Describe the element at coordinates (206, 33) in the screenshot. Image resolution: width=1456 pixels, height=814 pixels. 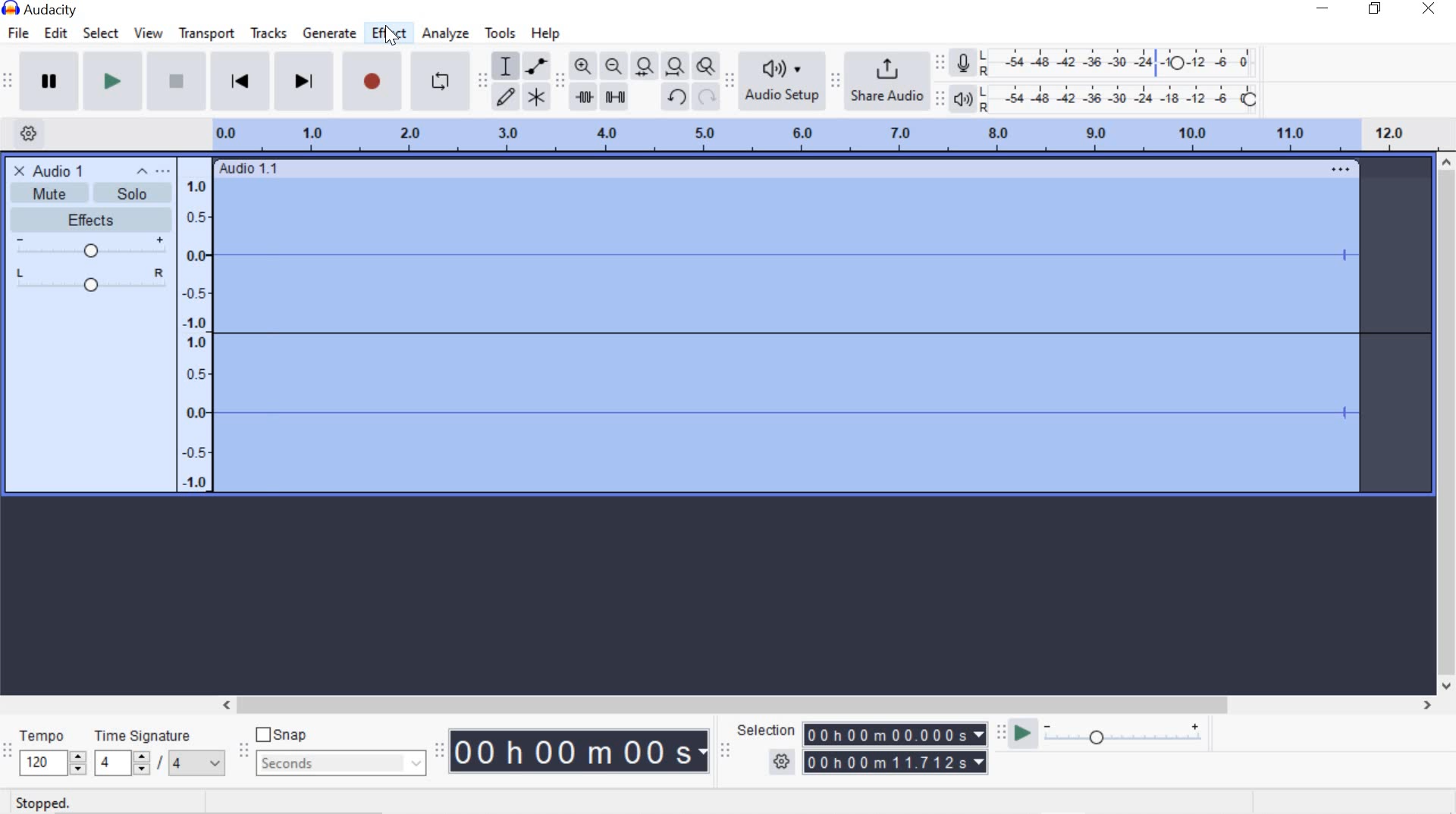
I see `transport` at that location.